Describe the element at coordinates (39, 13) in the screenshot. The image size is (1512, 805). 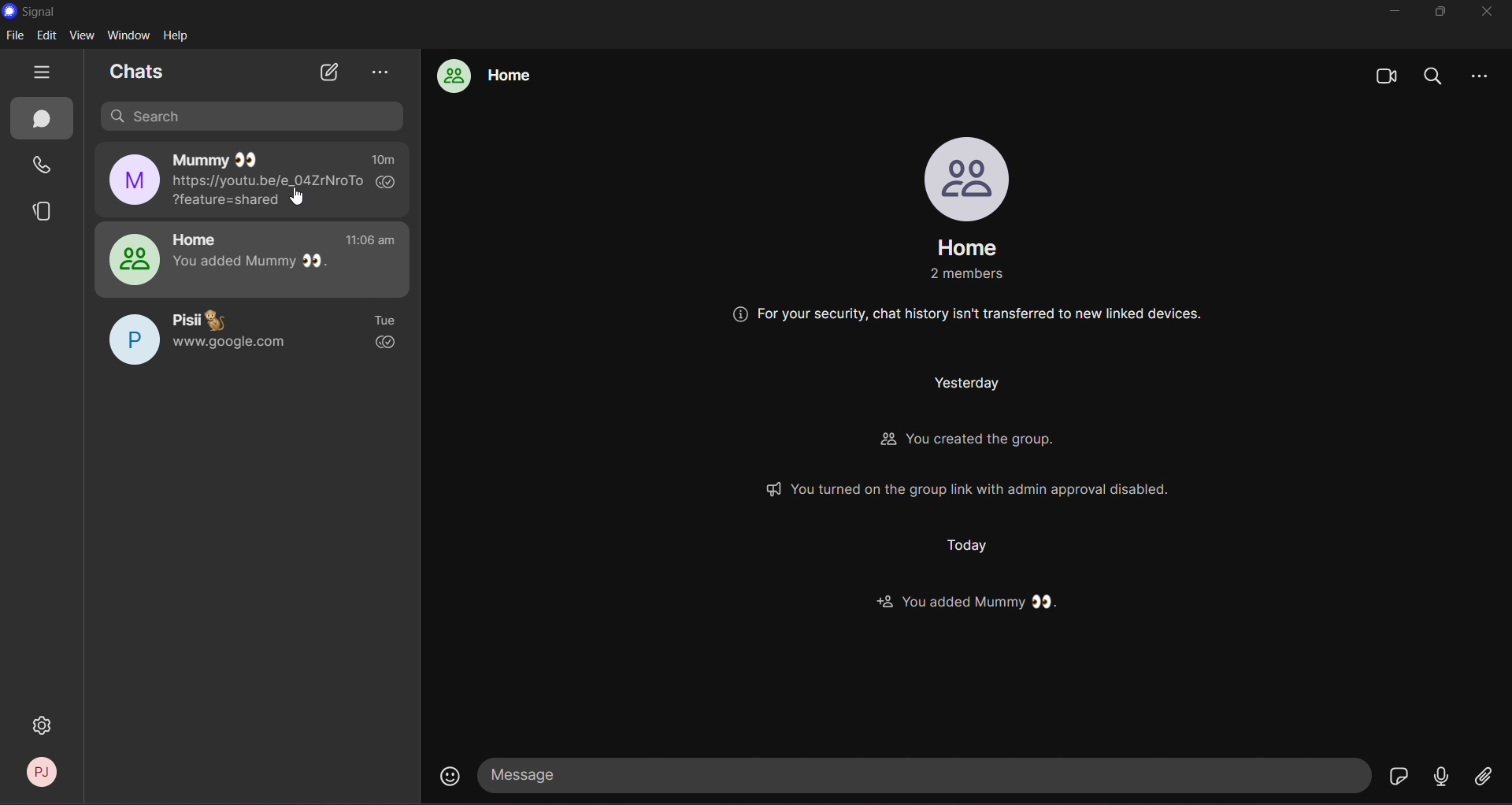
I see `title` at that location.